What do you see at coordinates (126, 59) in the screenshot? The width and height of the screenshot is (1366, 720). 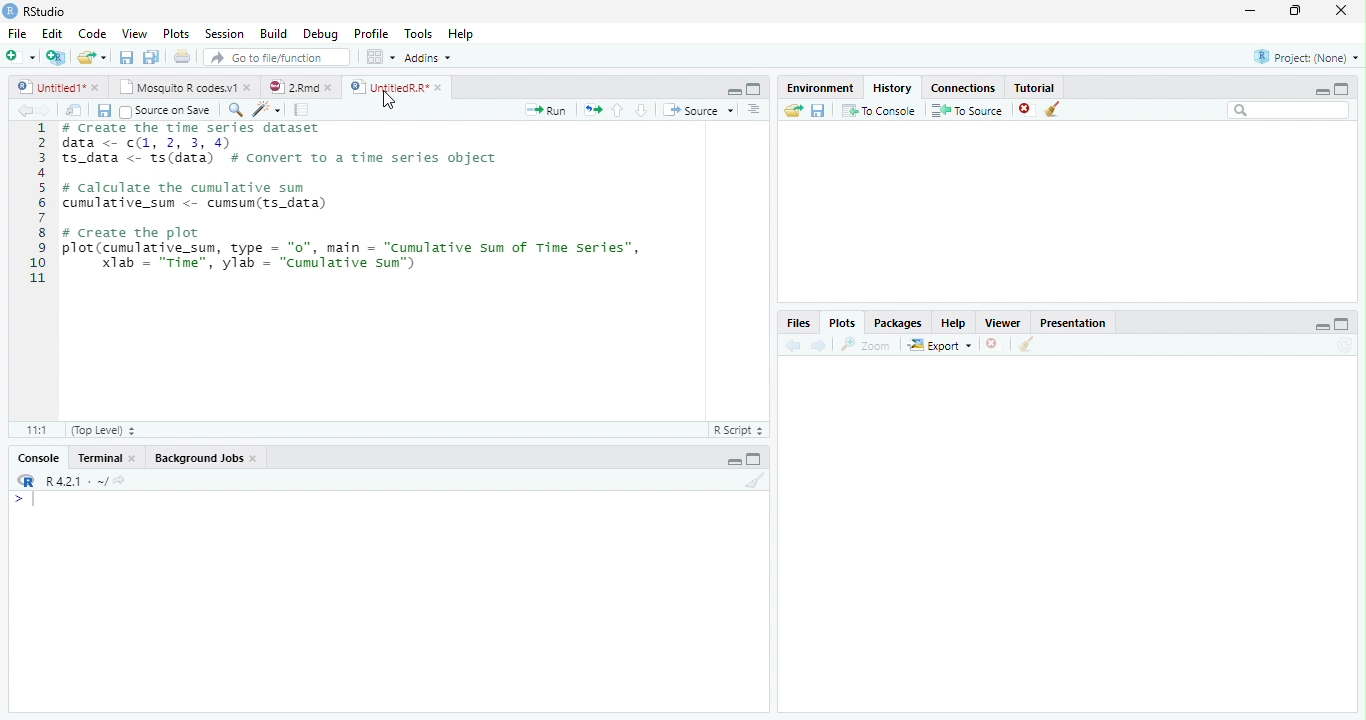 I see `Save` at bounding box center [126, 59].